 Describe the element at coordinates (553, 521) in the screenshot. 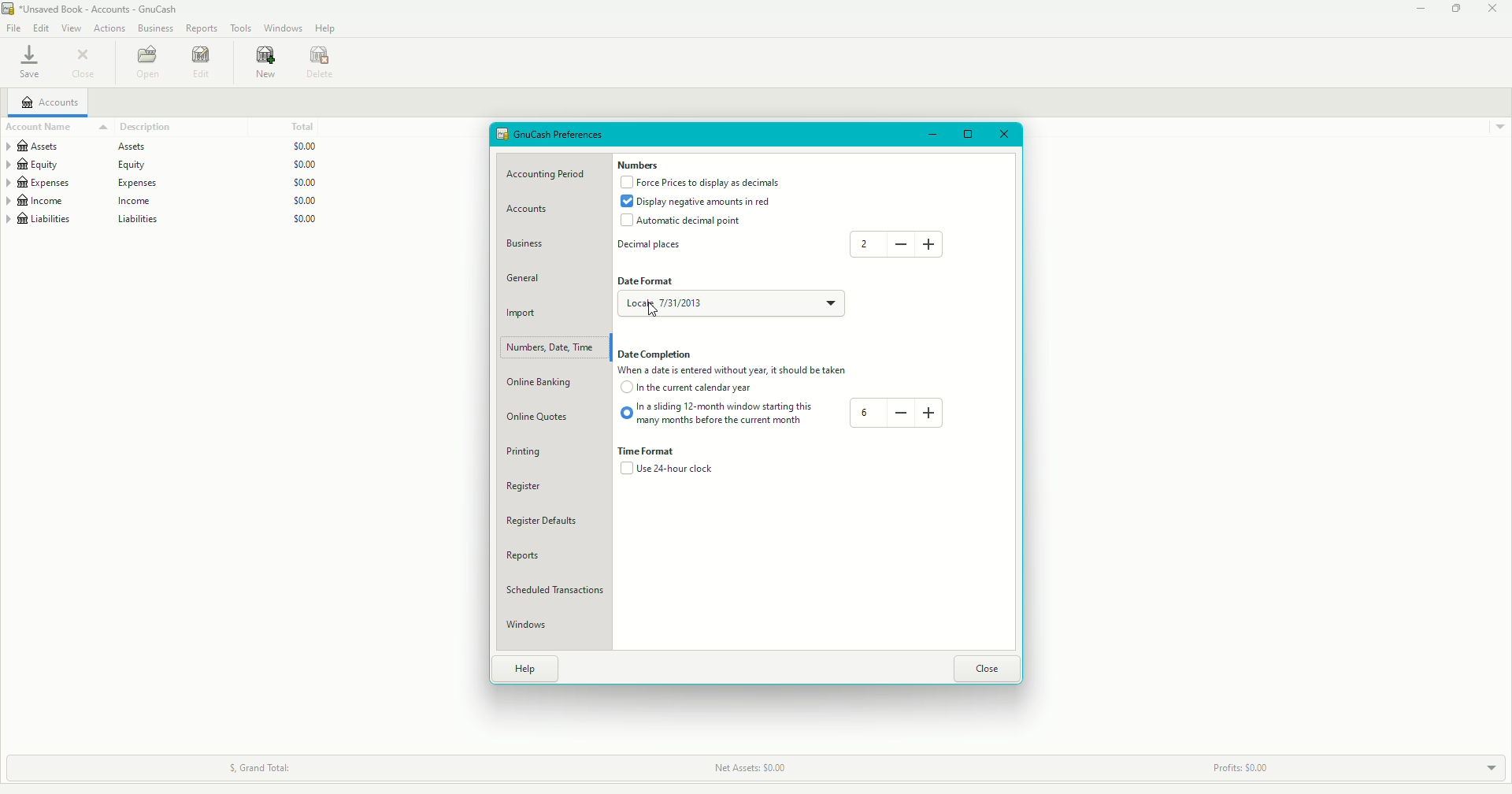

I see `Defaults` at that location.